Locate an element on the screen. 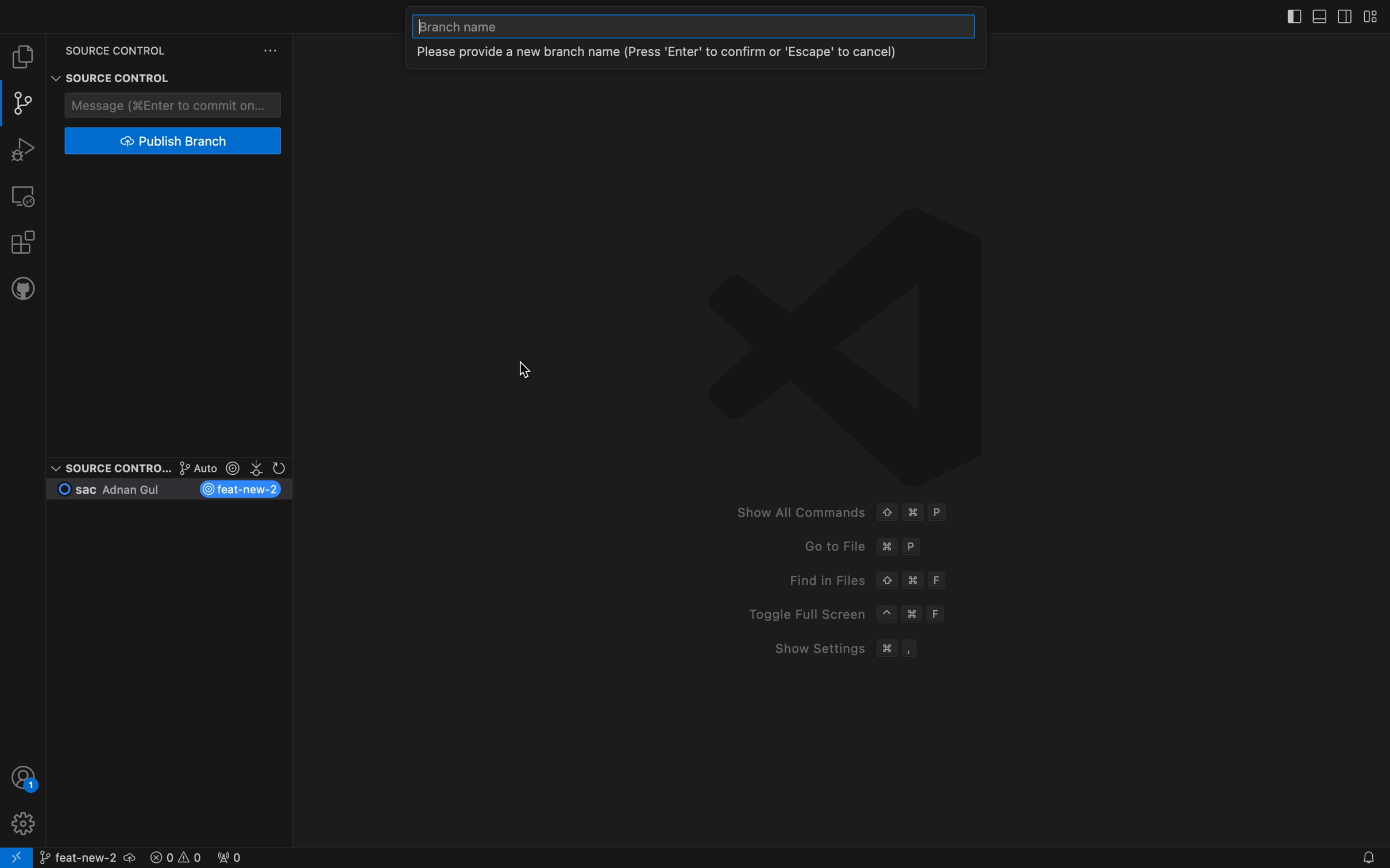  Command is located at coordinates (886, 648).